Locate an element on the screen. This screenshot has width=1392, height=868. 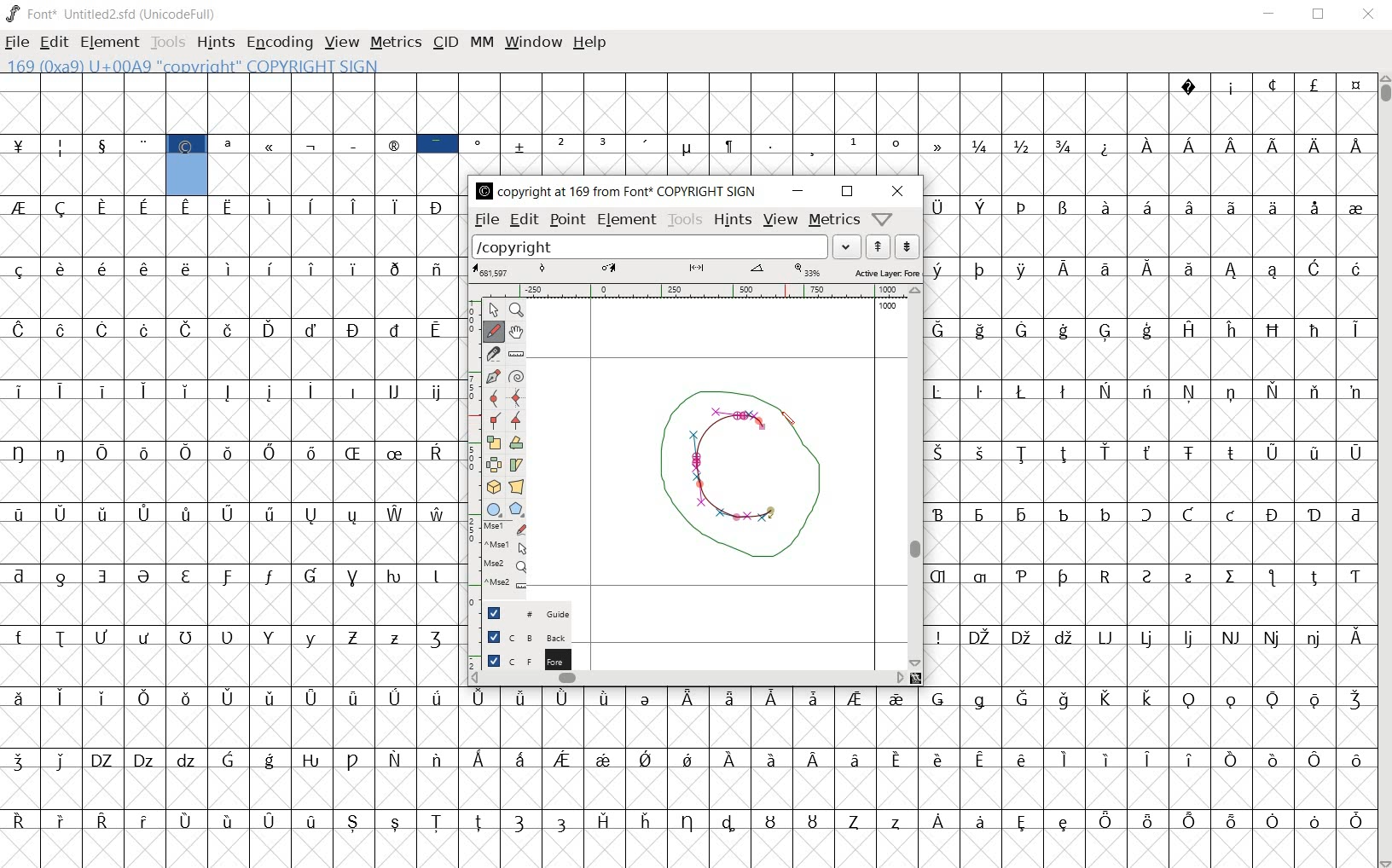
hints is located at coordinates (731, 219).